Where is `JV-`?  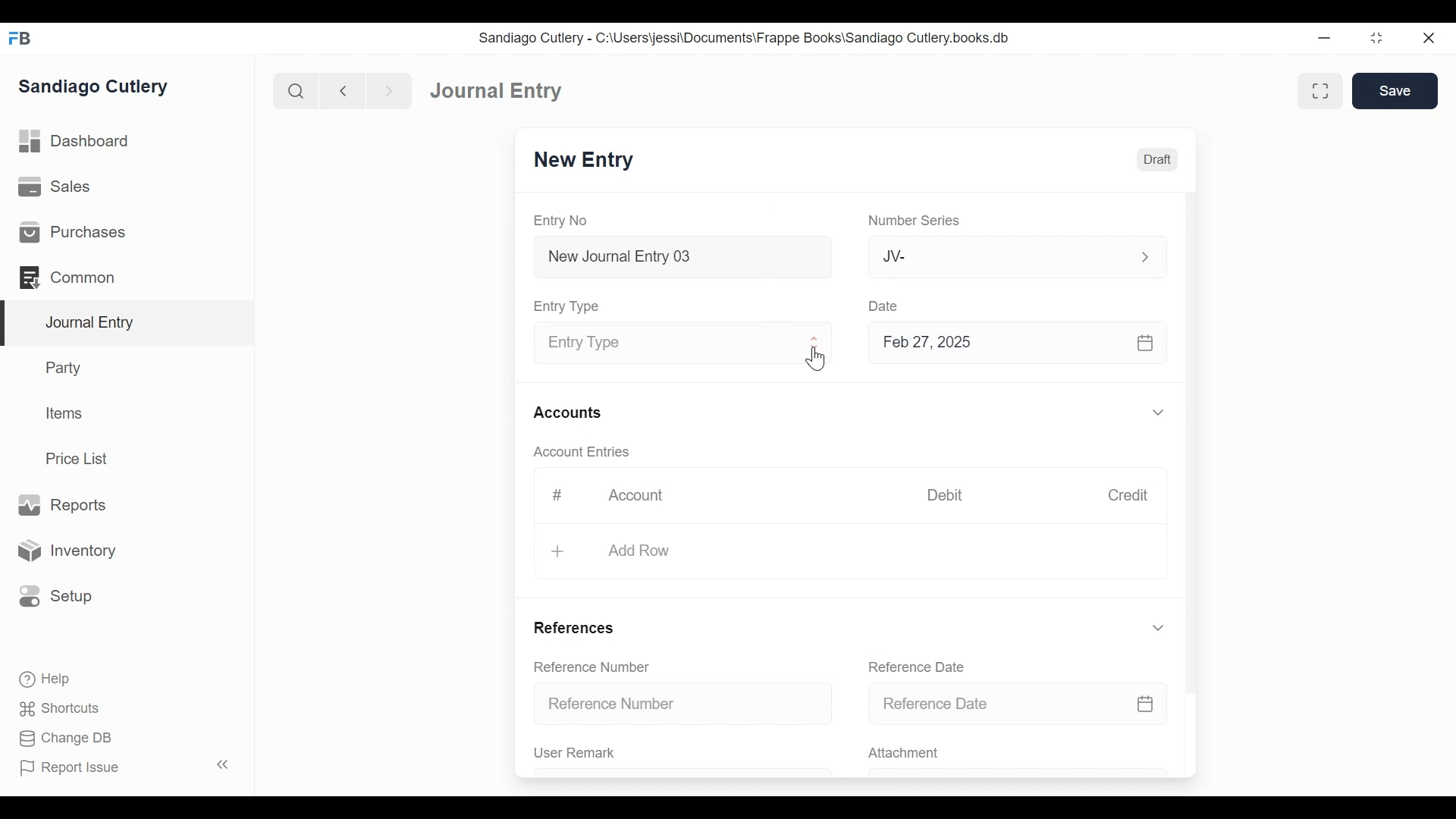 JV- is located at coordinates (990, 256).